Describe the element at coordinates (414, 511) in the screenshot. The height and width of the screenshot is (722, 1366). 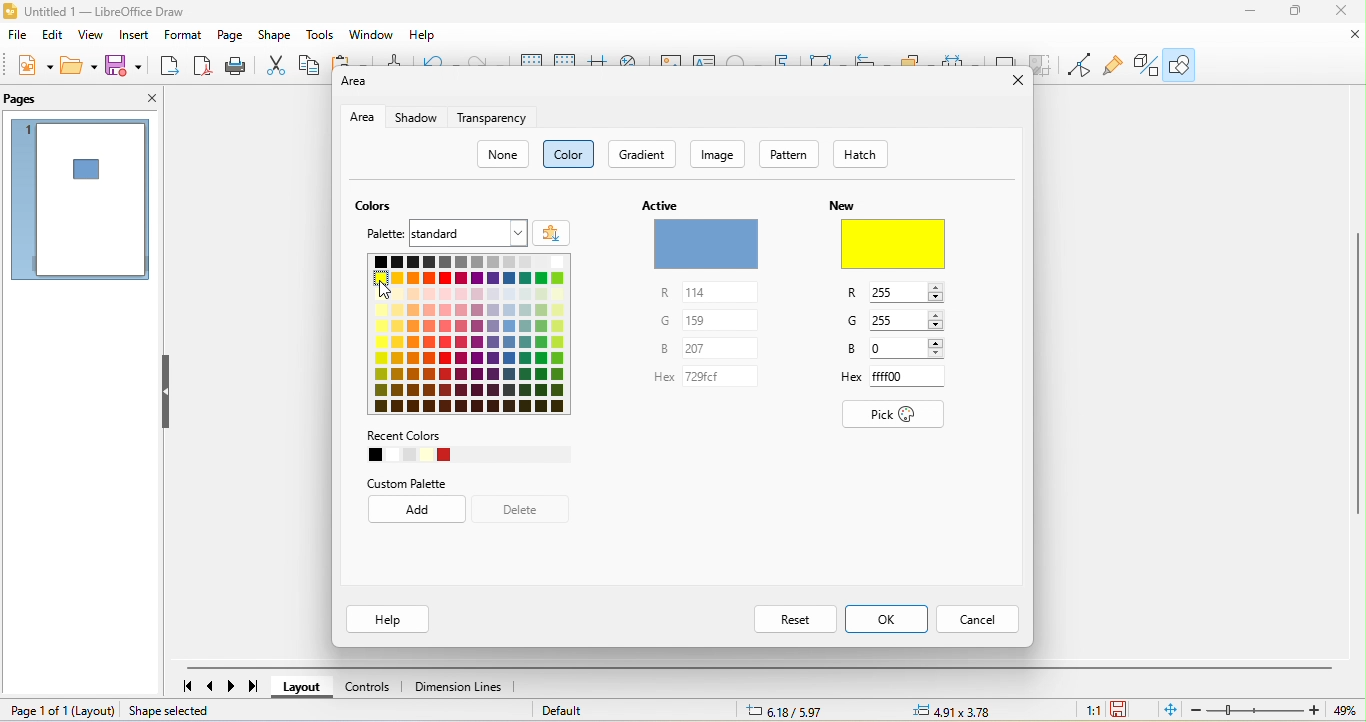
I see `add` at that location.